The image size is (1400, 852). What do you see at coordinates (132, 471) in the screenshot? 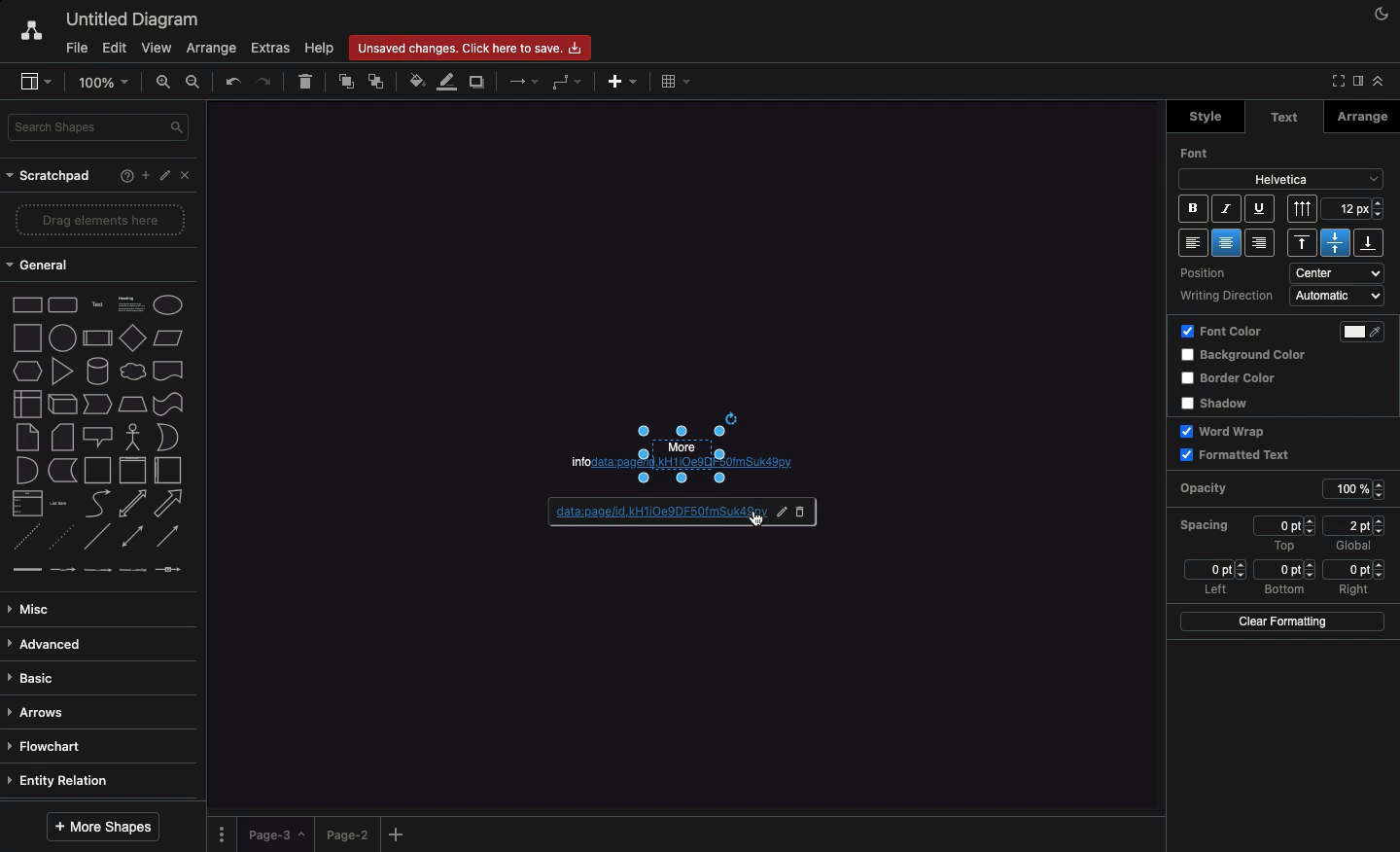
I see `vertical container` at bounding box center [132, 471].